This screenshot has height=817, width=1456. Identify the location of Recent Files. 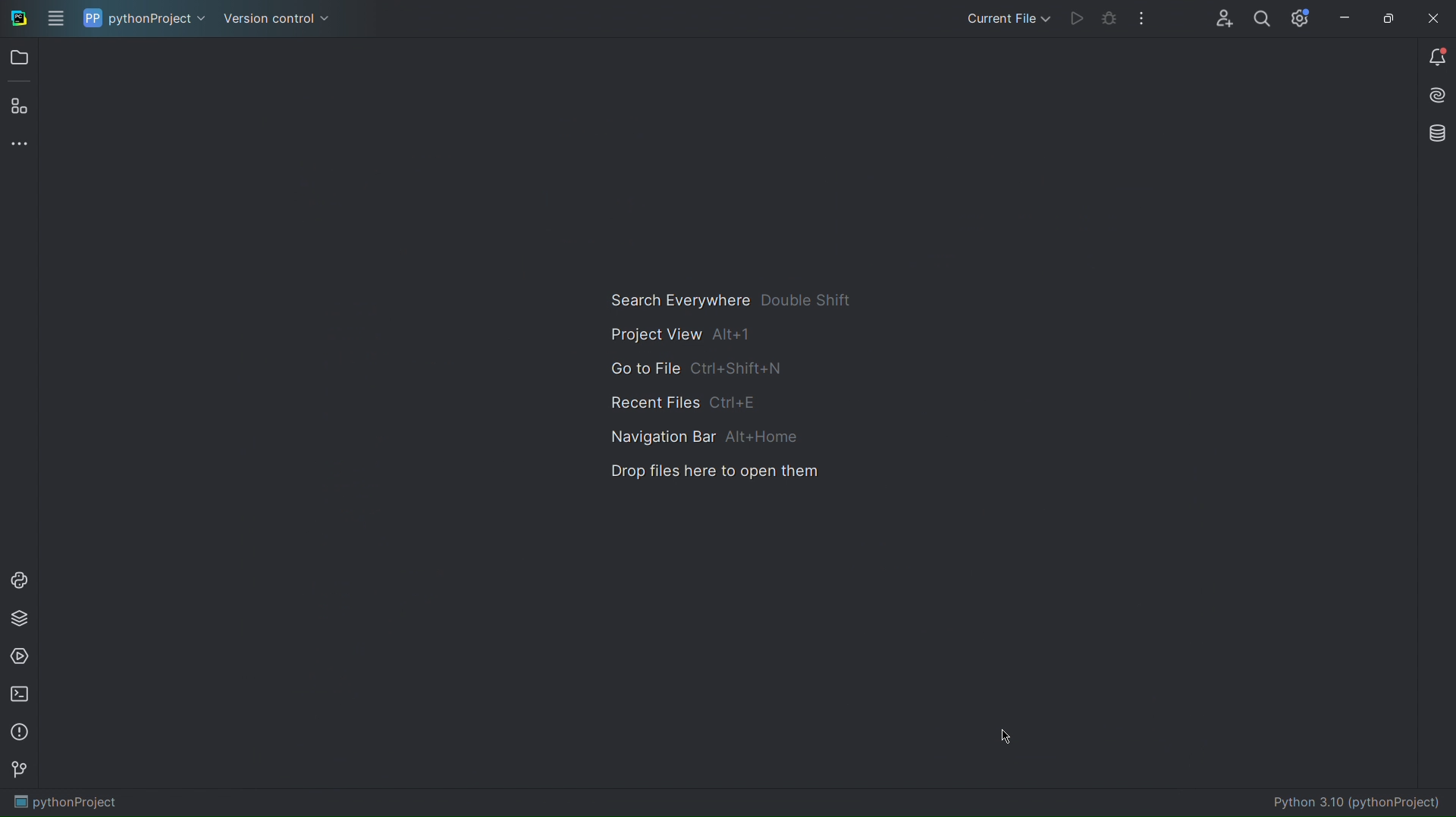
(697, 400).